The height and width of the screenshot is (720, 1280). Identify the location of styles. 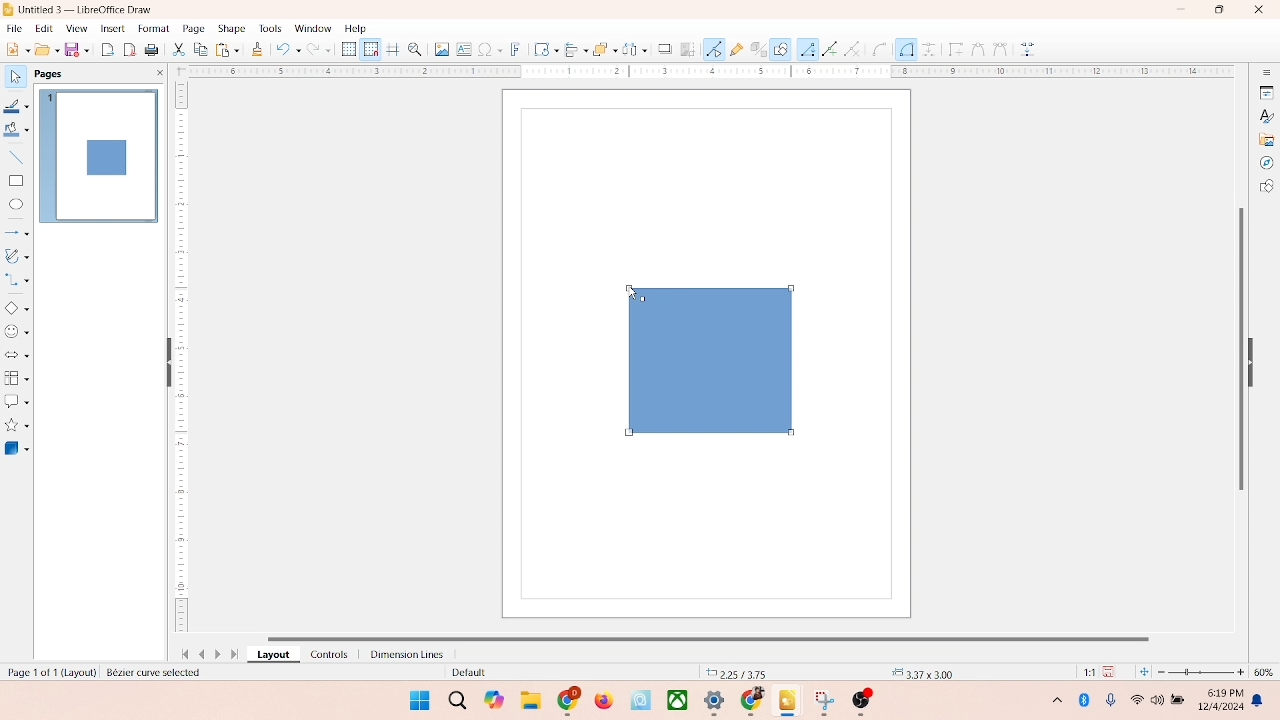
(1265, 115).